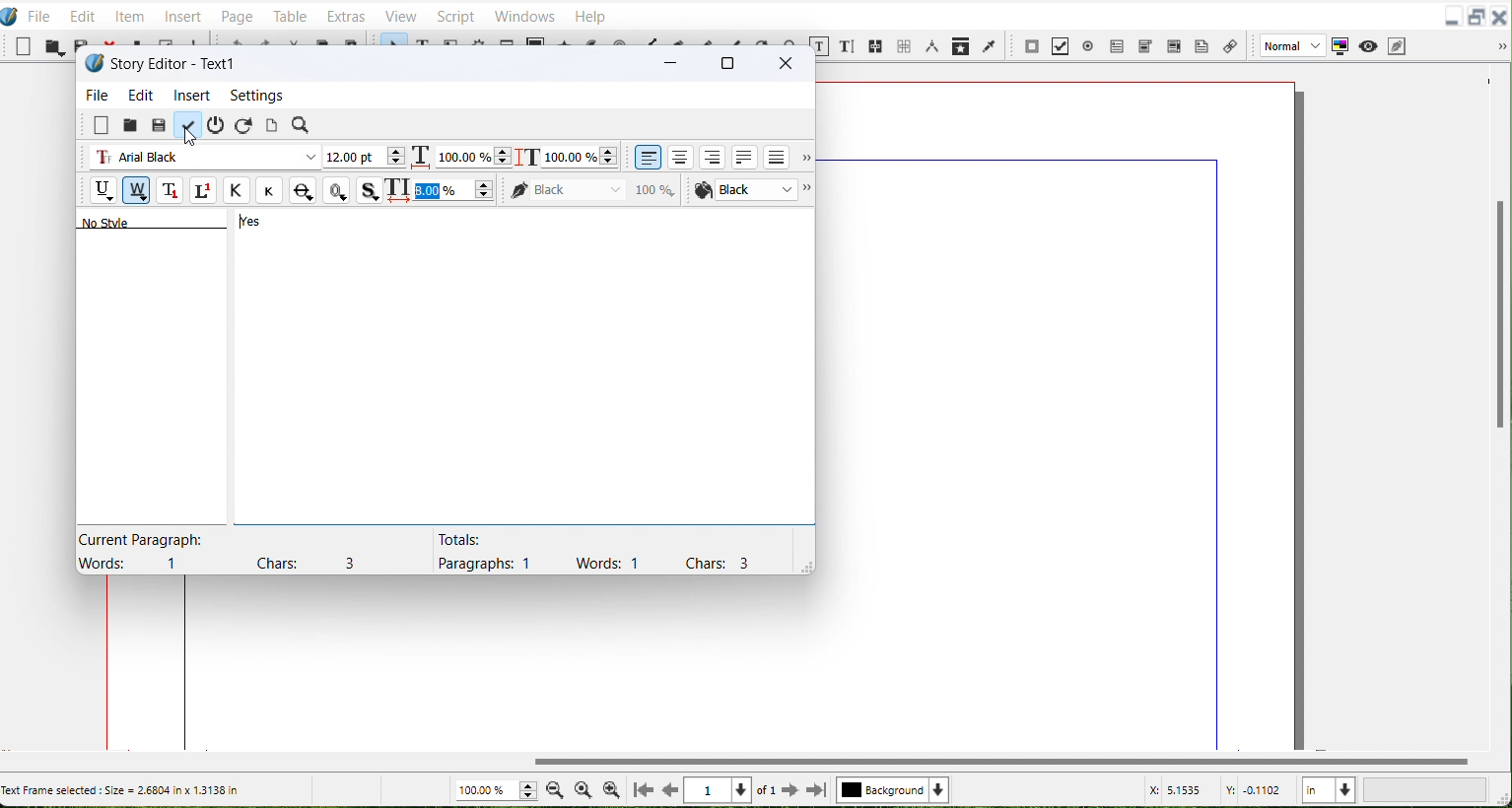  What do you see at coordinates (1452, 16) in the screenshot?
I see `Minimize` at bounding box center [1452, 16].